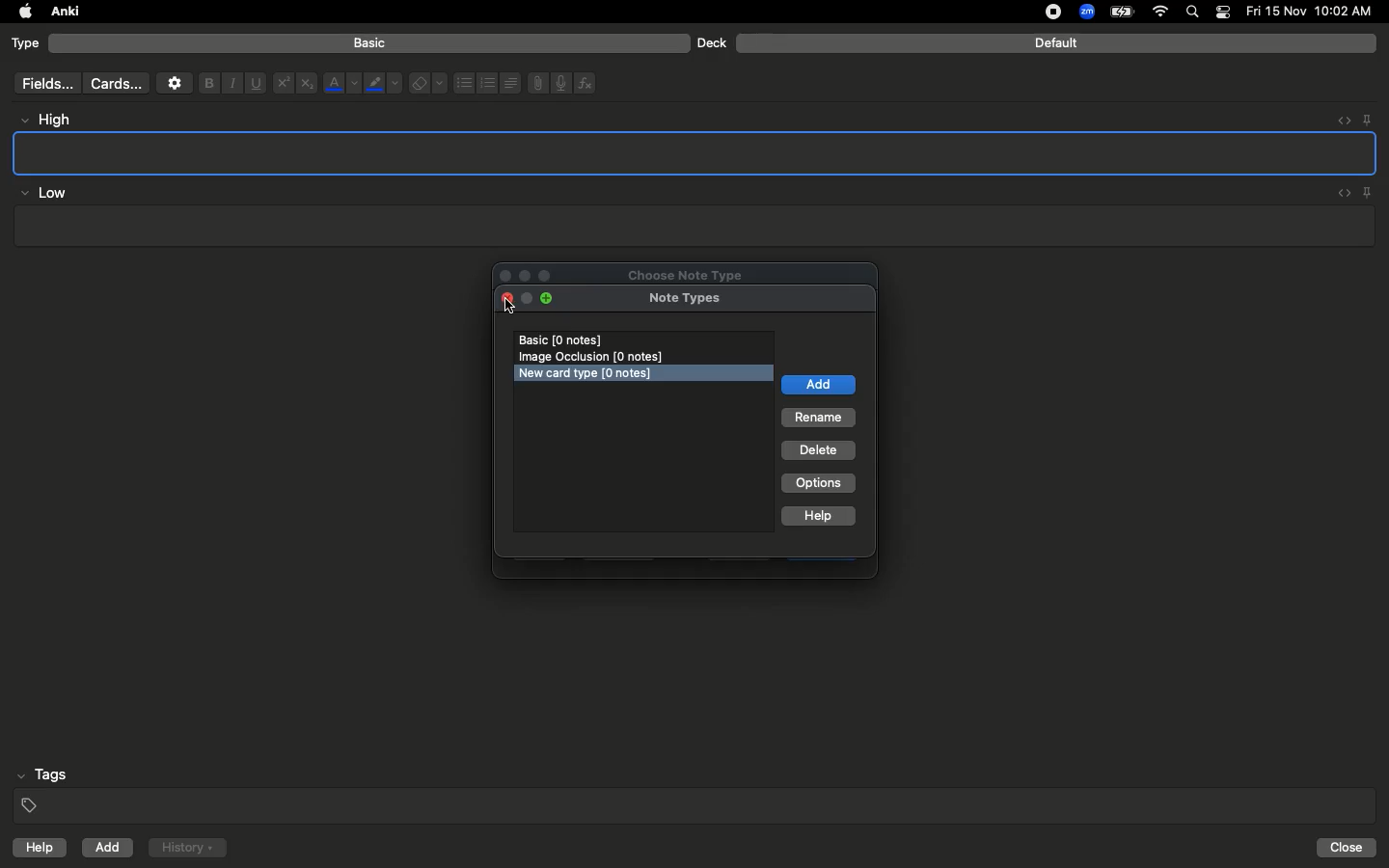  What do you see at coordinates (1056, 43) in the screenshot?
I see `Default` at bounding box center [1056, 43].